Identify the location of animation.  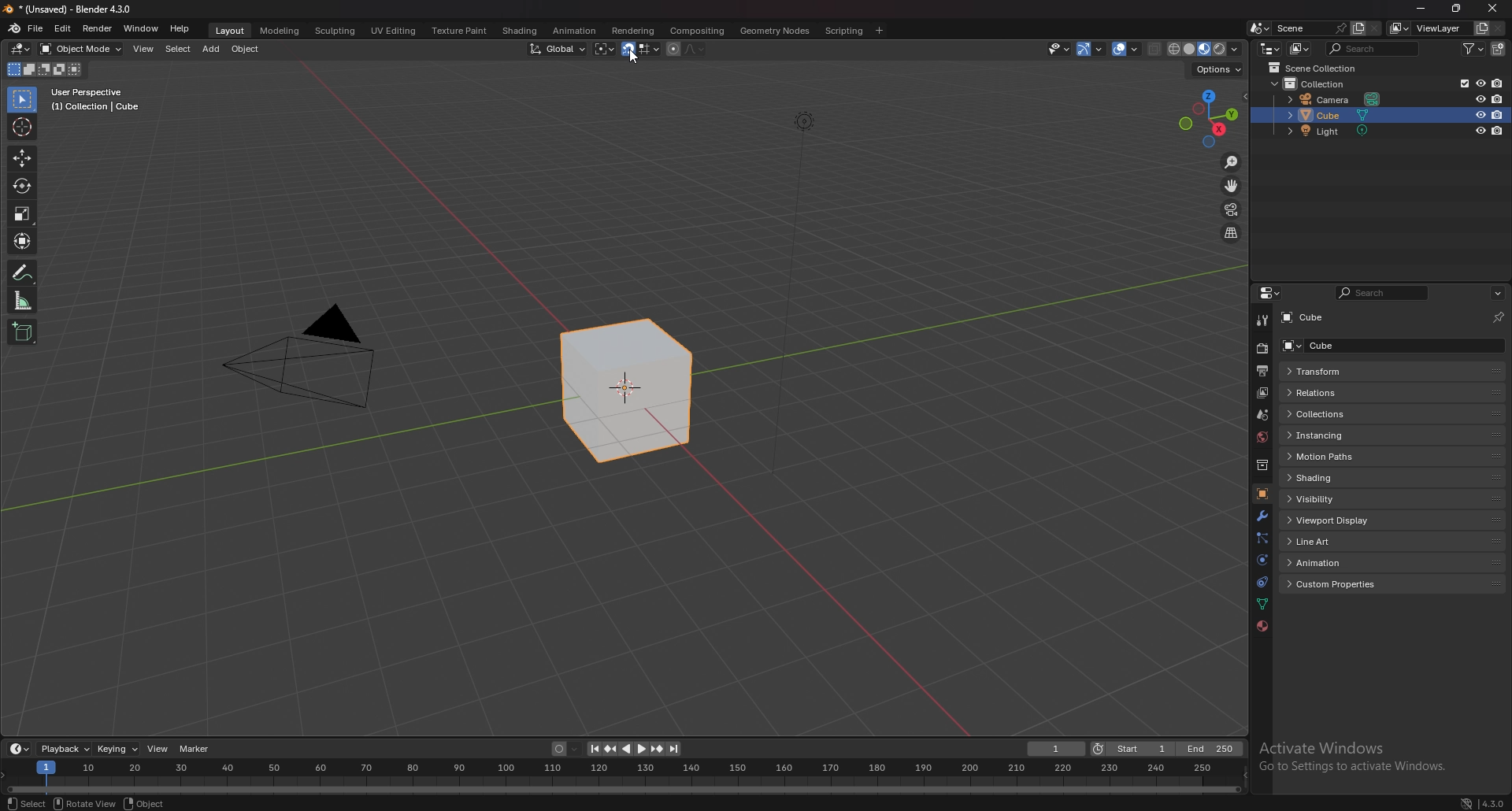
(575, 31).